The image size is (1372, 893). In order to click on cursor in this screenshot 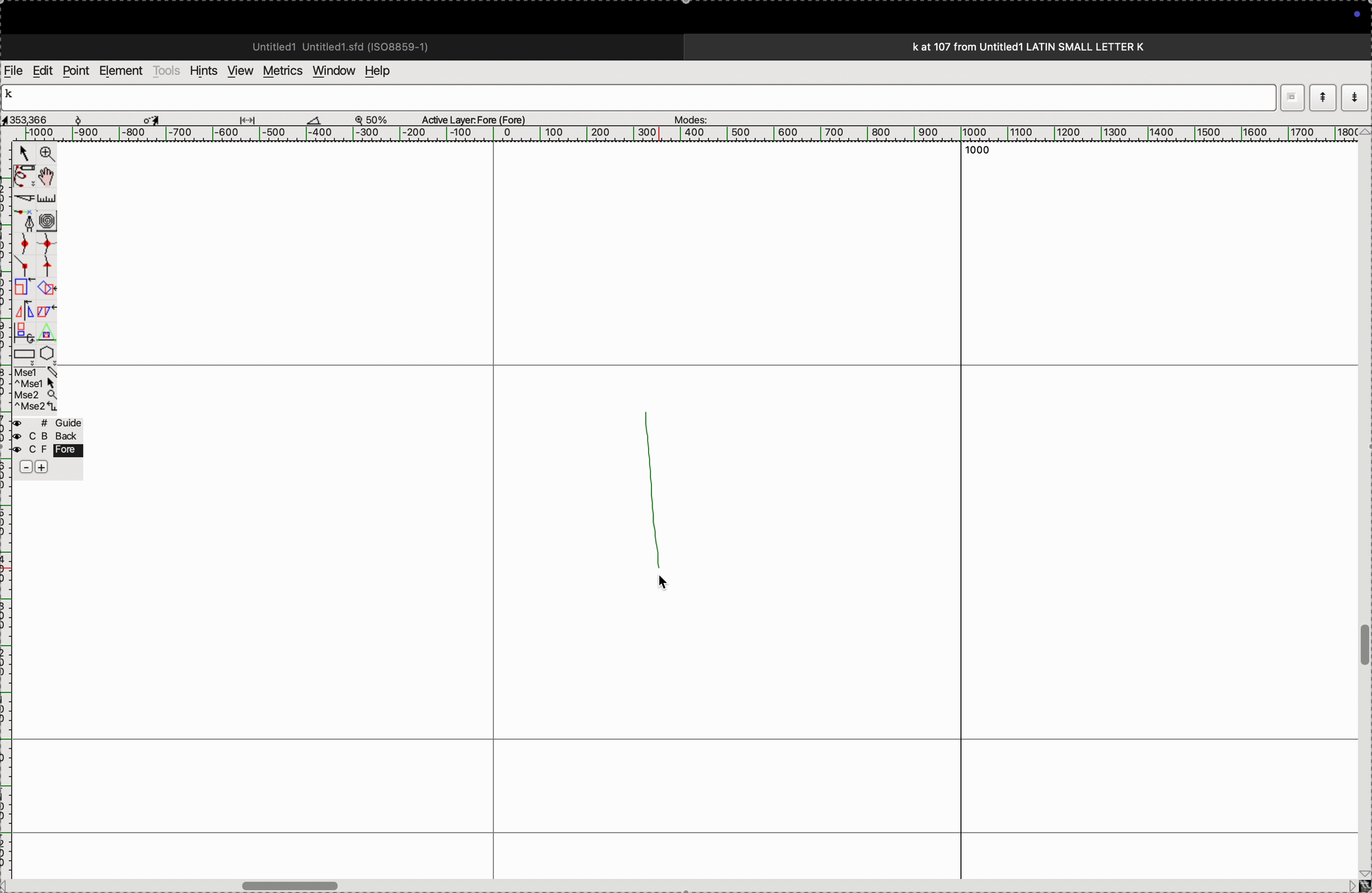, I will do `click(674, 581)`.